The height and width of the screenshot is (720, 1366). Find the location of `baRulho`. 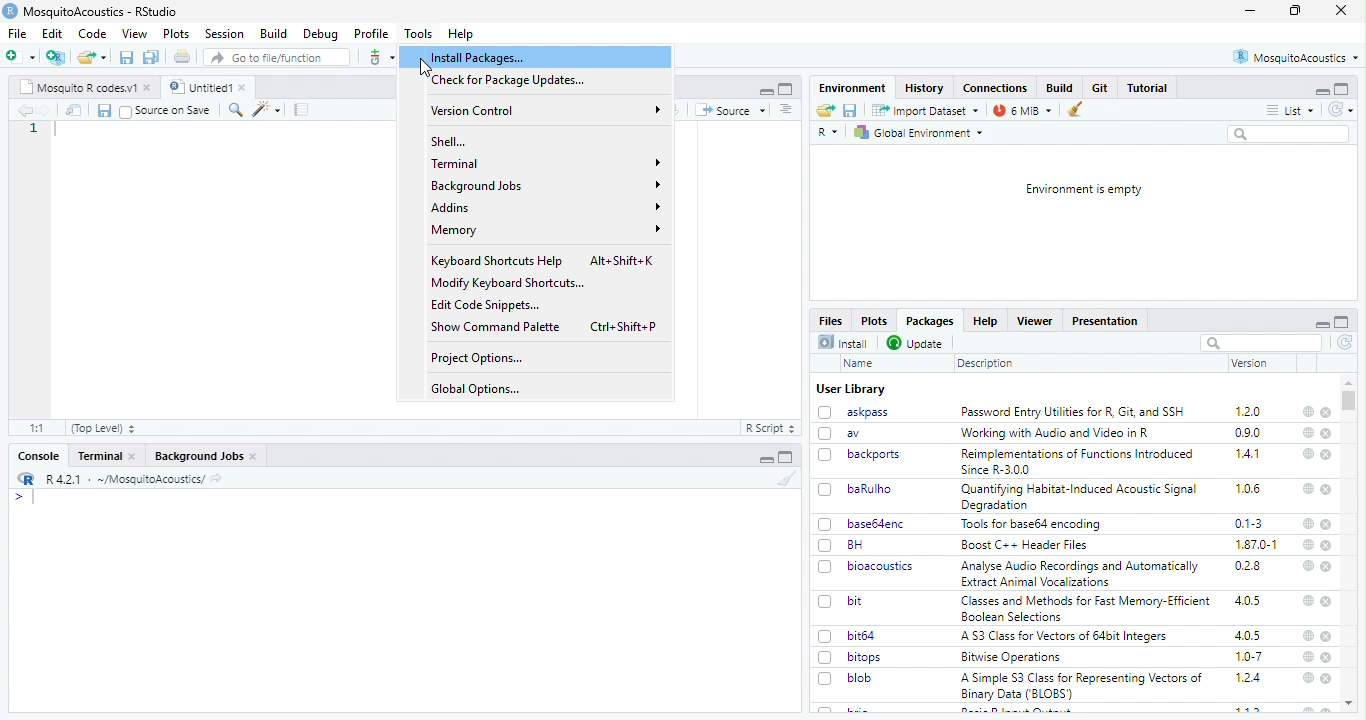

baRulho is located at coordinates (871, 488).